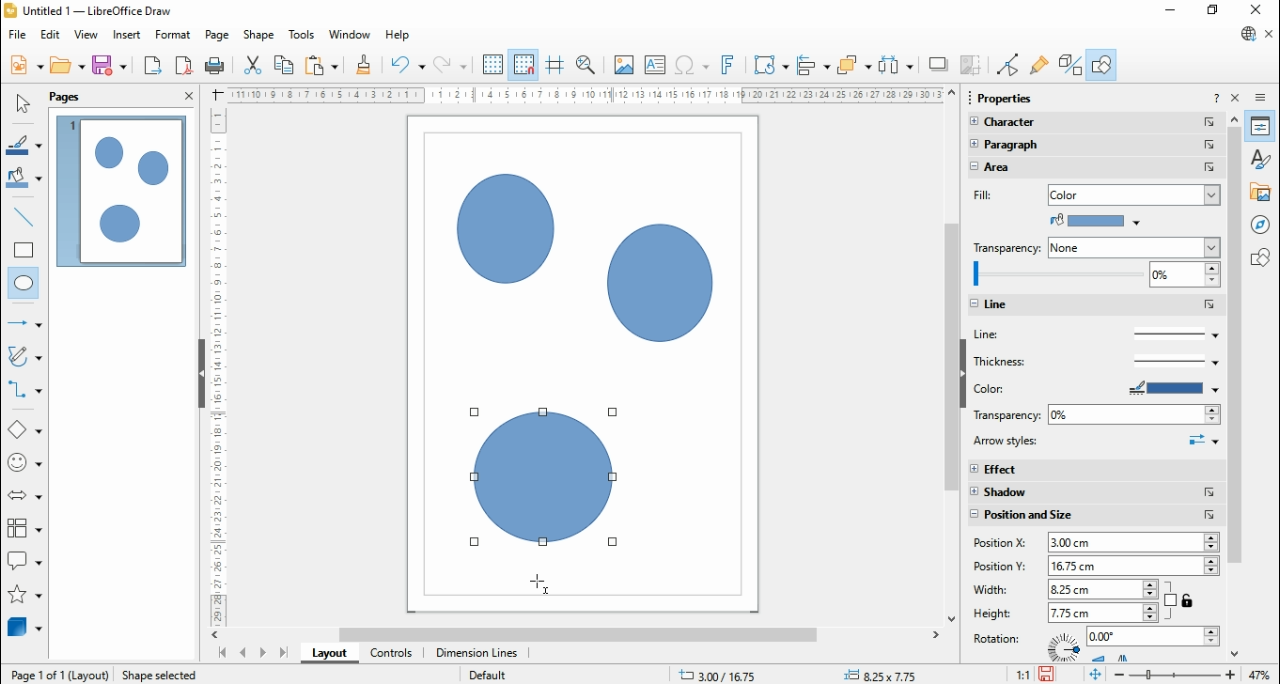 The image size is (1280, 684). What do you see at coordinates (1133, 248) in the screenshot?
I see `none` at bounding box center [1133, 248].